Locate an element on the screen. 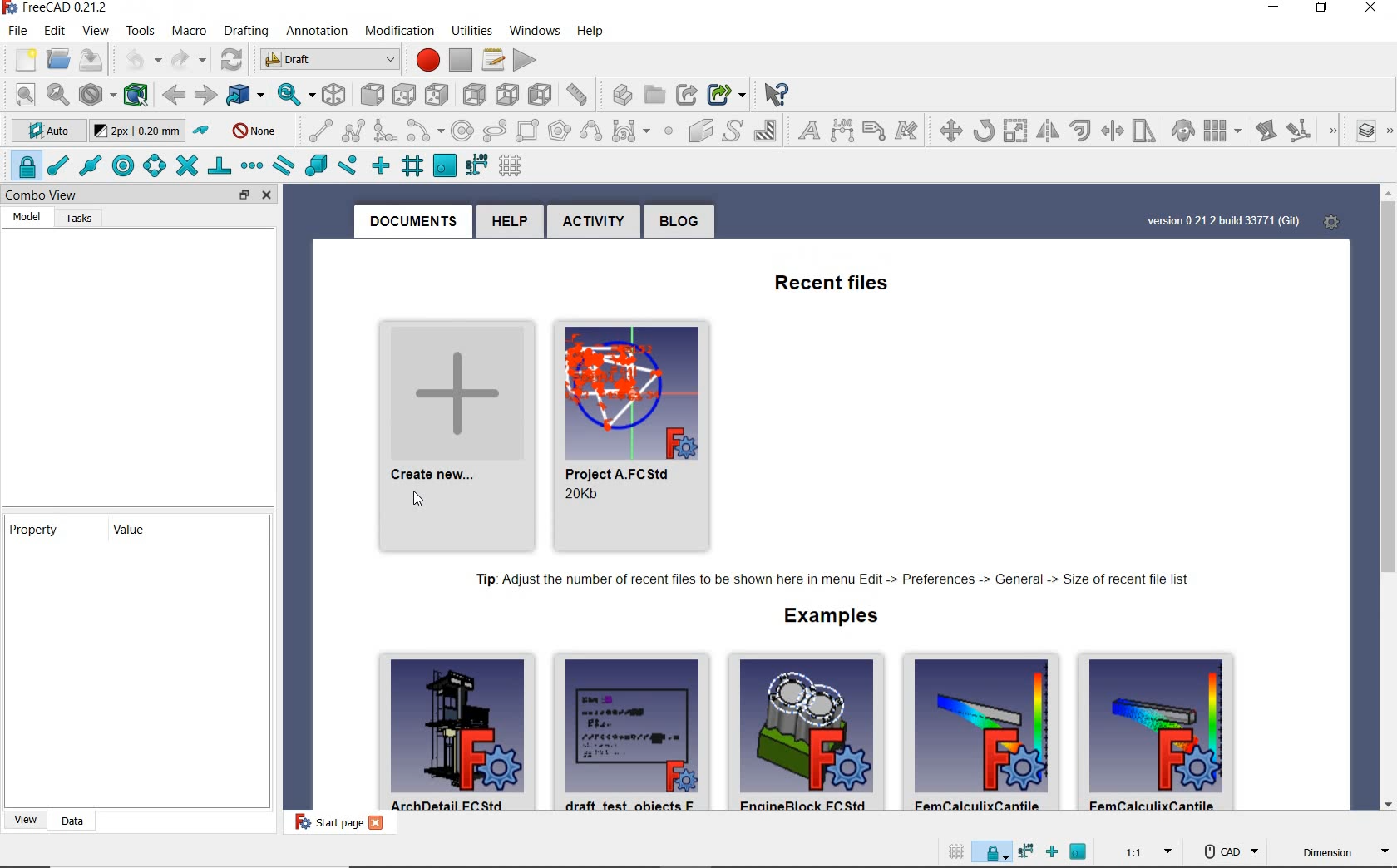 Image resolution: width=1397 pixels, height=868 pixels. right is located at coordinates (403, 91).